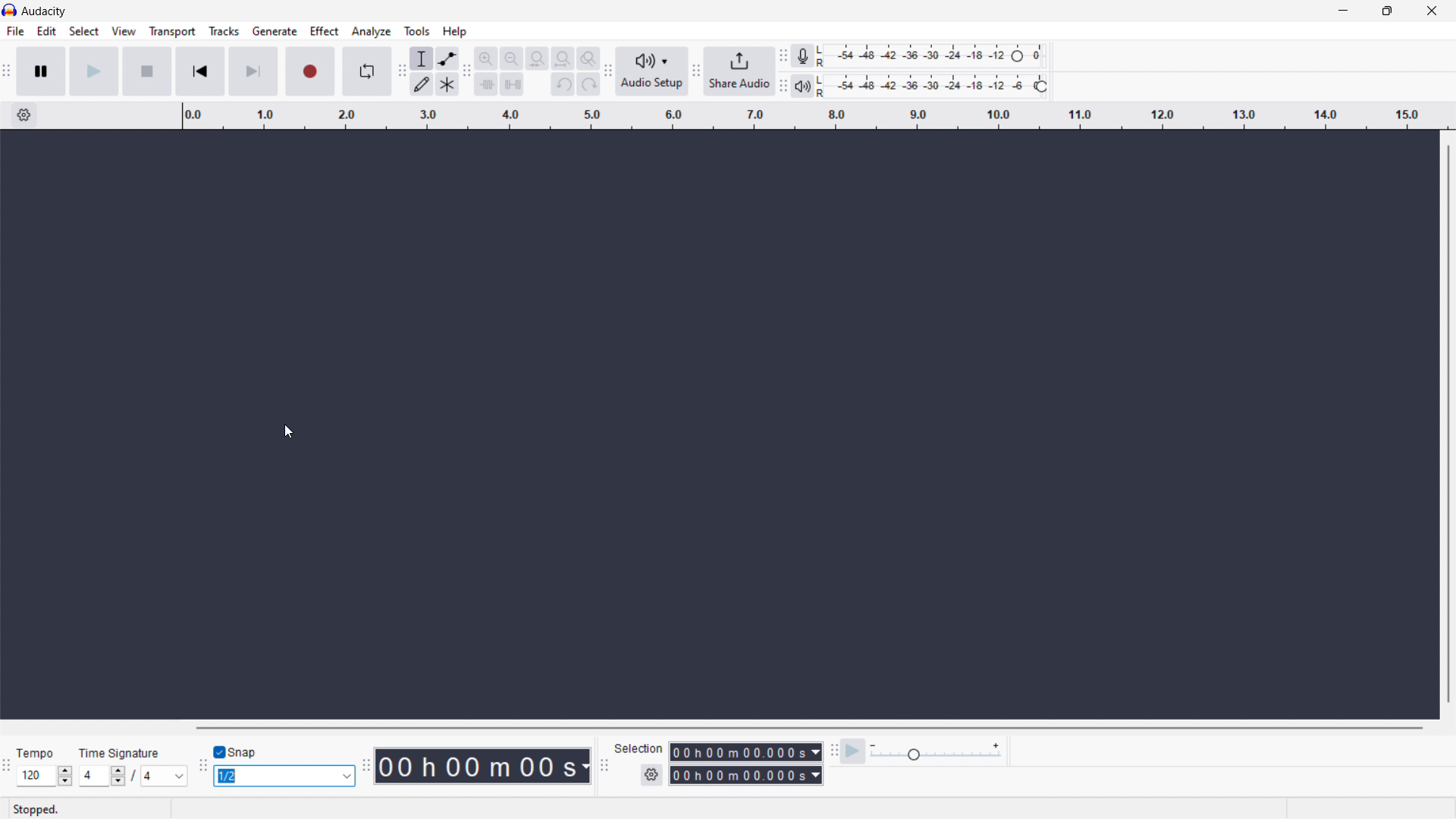 The width and height of the screenshot is (1456, 819). I want to click on close, so click(1430, 11).